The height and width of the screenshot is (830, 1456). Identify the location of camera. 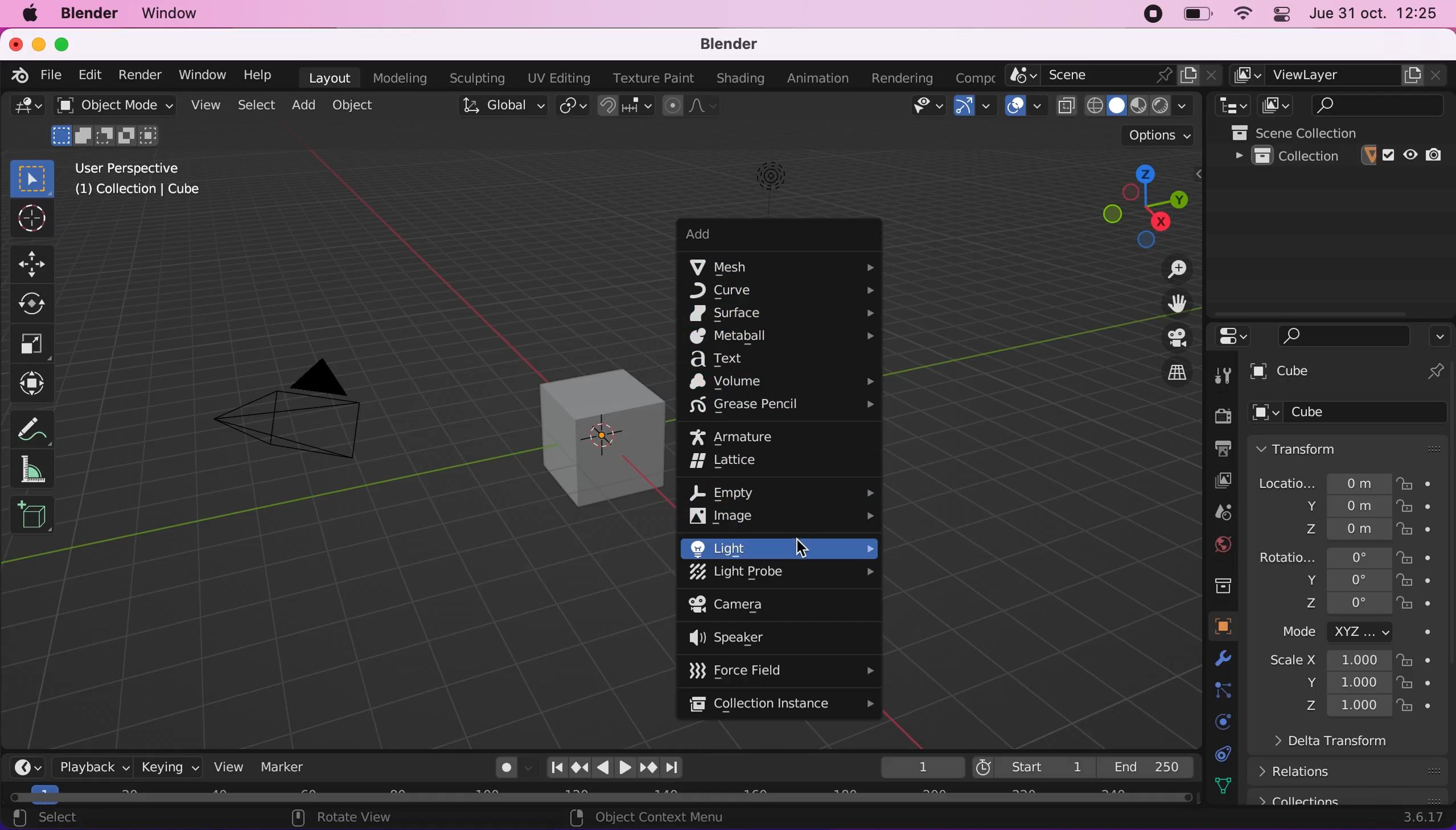
(304, 415).